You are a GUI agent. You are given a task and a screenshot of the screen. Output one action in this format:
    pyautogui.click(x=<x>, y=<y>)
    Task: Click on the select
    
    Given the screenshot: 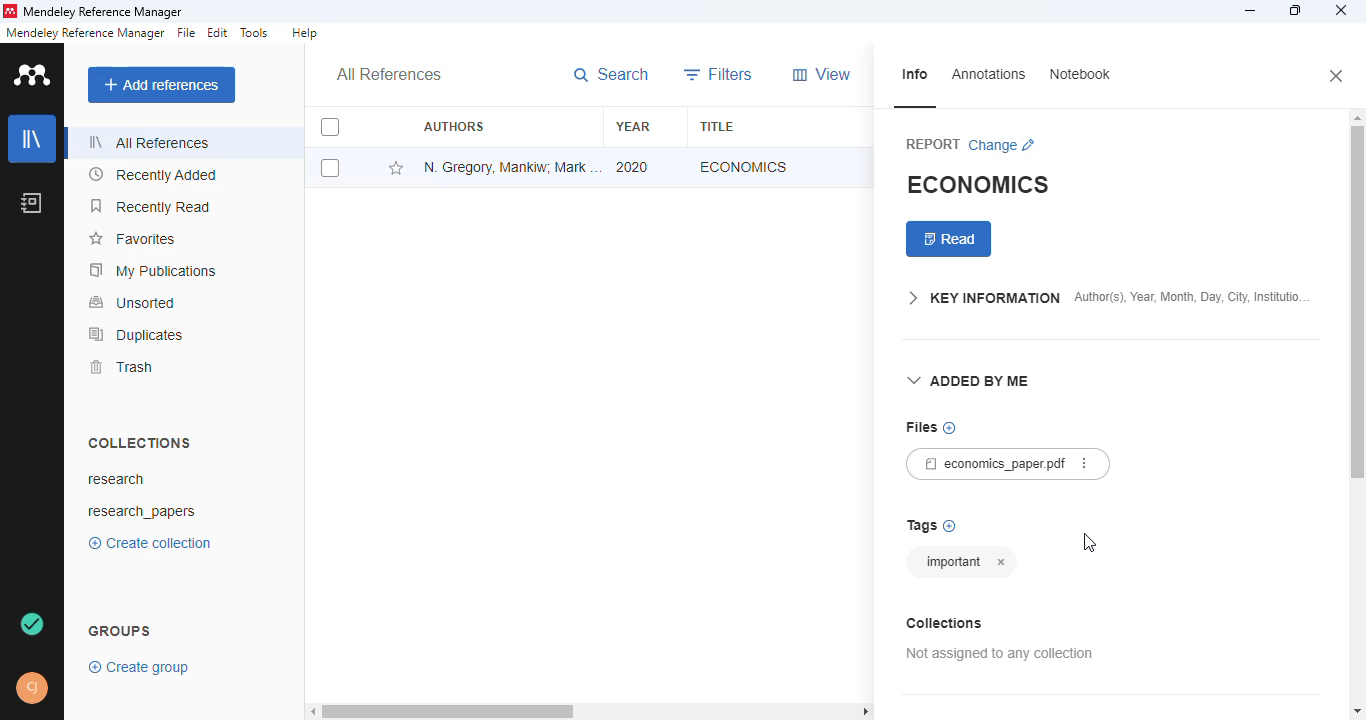 What is the action you would take?
    pyautogui.click(x=330, y=168)
    